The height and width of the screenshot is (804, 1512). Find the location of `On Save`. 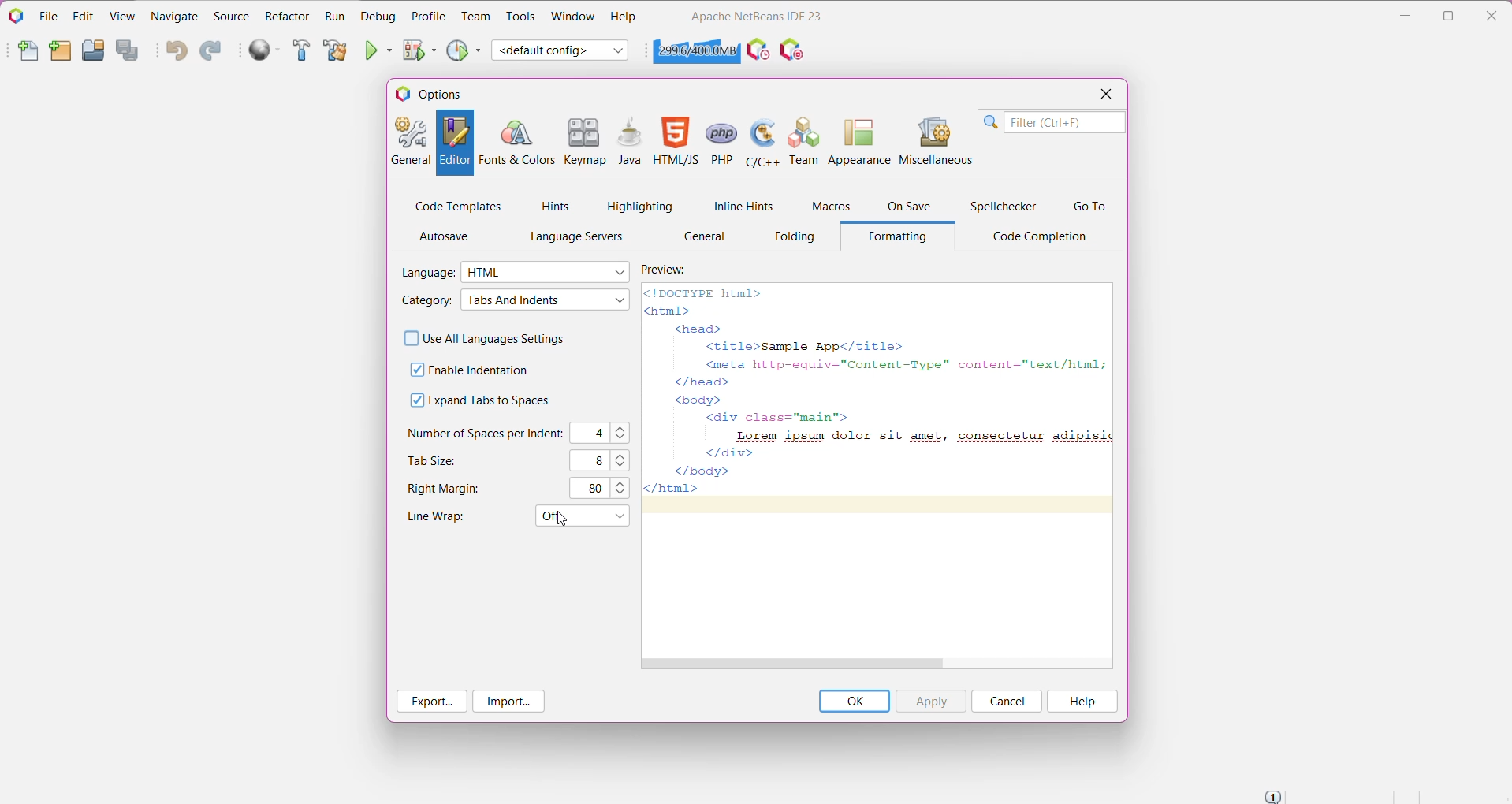

On Save is located at coordinates (911, 207).